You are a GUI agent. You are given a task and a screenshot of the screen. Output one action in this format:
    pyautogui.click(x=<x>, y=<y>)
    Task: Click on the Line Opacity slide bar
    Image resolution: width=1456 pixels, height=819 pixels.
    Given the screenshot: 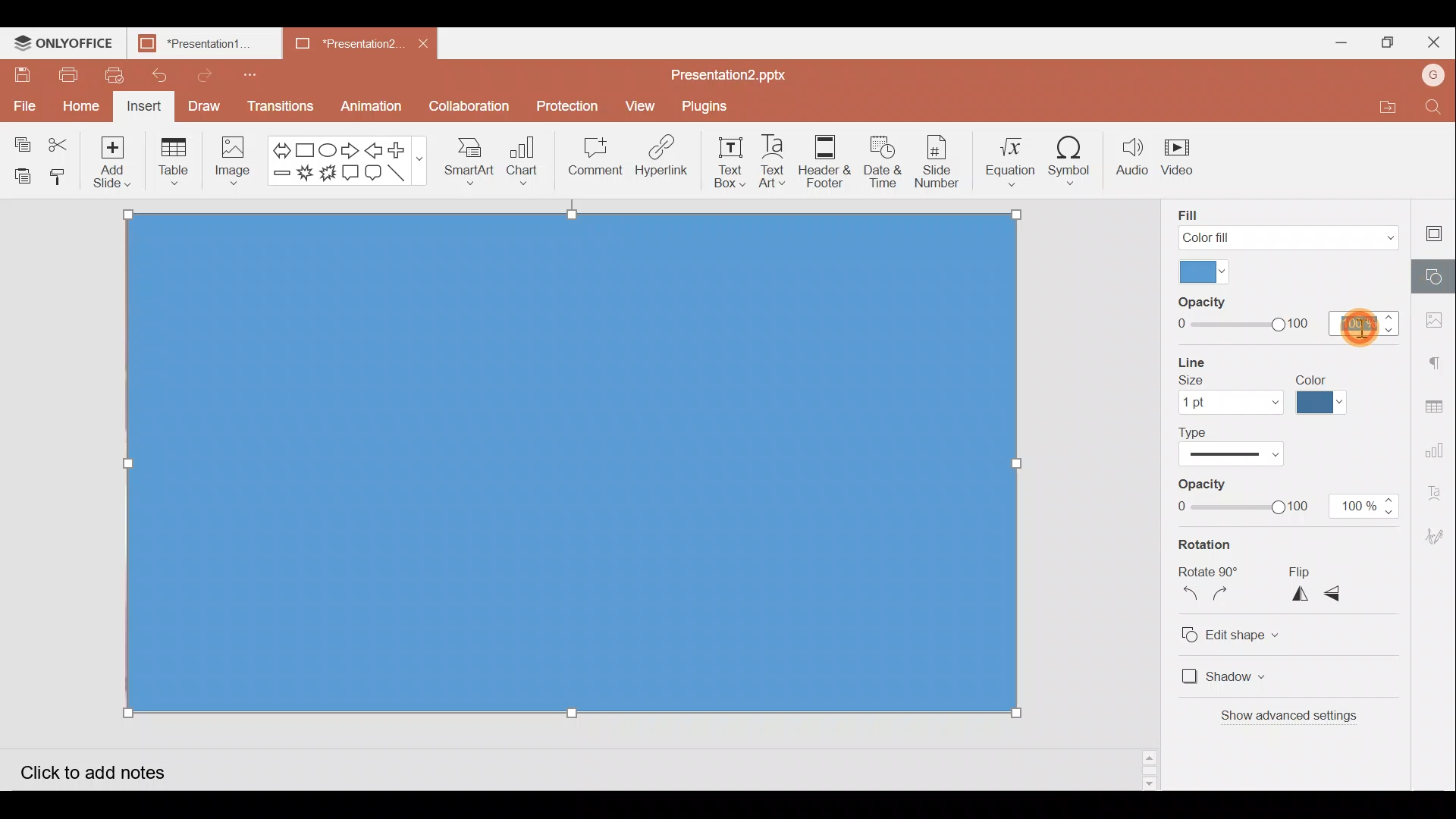 What is the action you would take?
    pyautogui.click(x=1241, y=497)
    